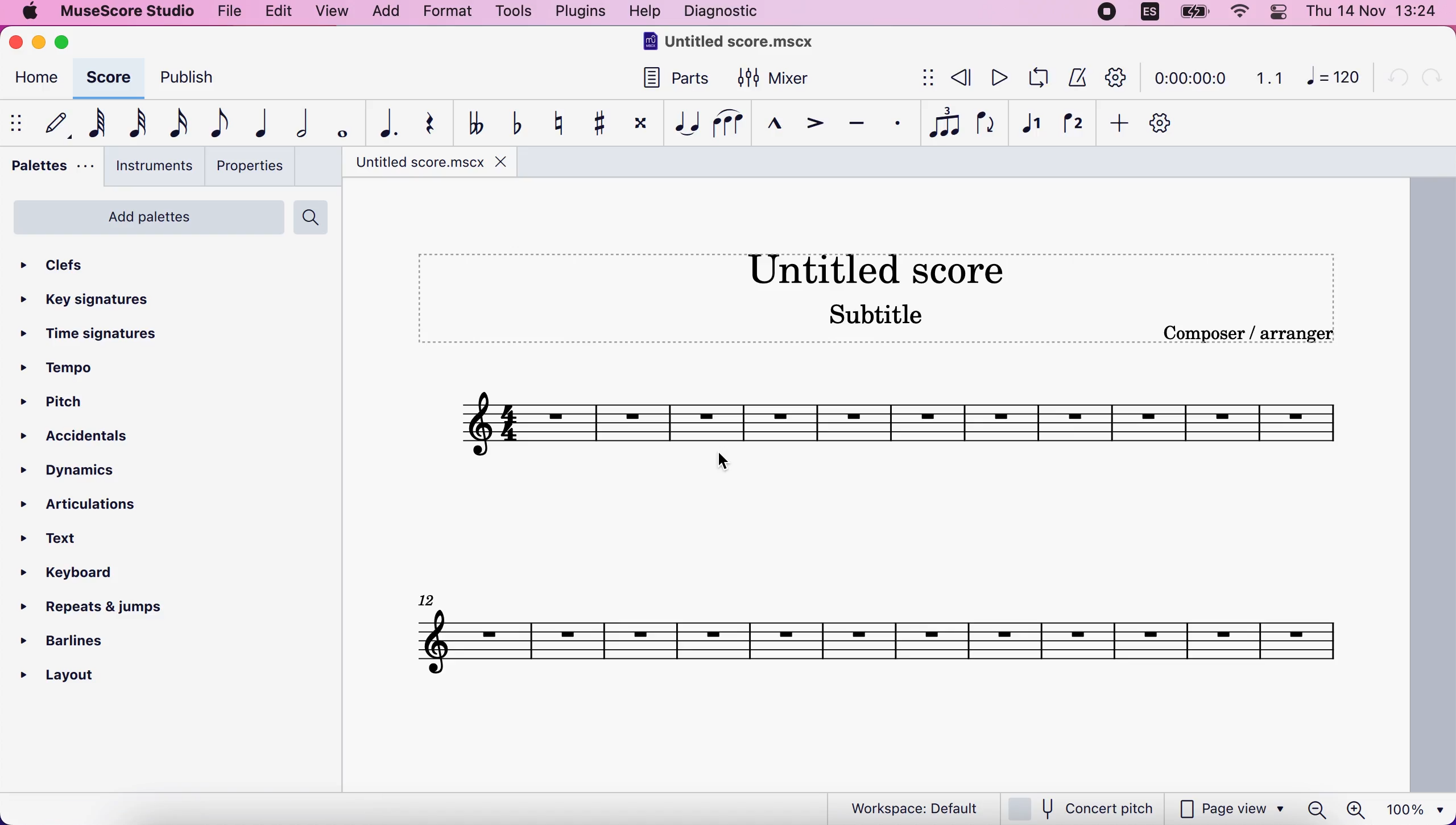 This screenshot has height=825, width=1456. I want to click on zoom in, so click(1359, 809).